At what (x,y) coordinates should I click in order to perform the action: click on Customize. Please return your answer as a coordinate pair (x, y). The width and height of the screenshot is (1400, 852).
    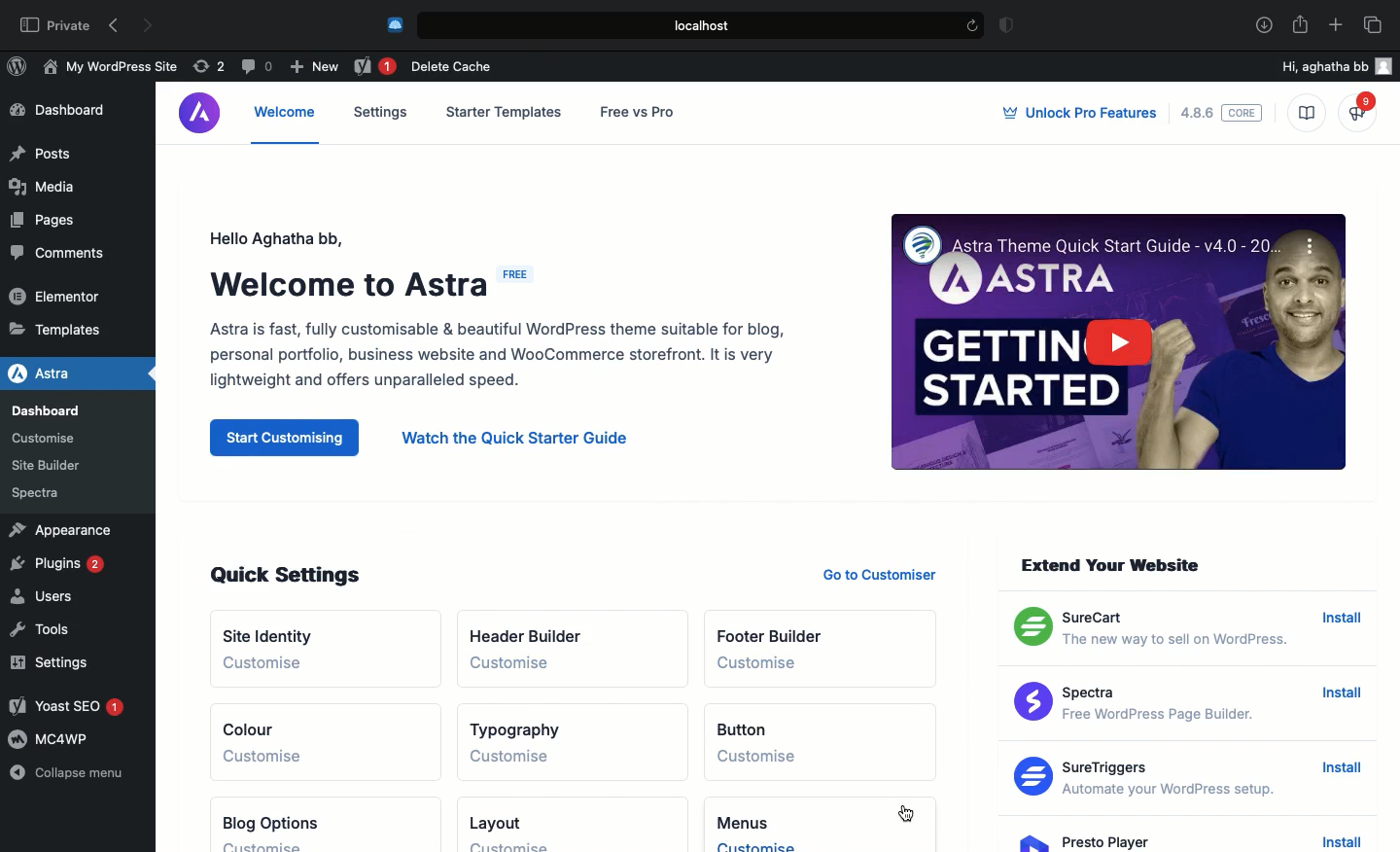
    Looking at the image, I should click on (265, 662).